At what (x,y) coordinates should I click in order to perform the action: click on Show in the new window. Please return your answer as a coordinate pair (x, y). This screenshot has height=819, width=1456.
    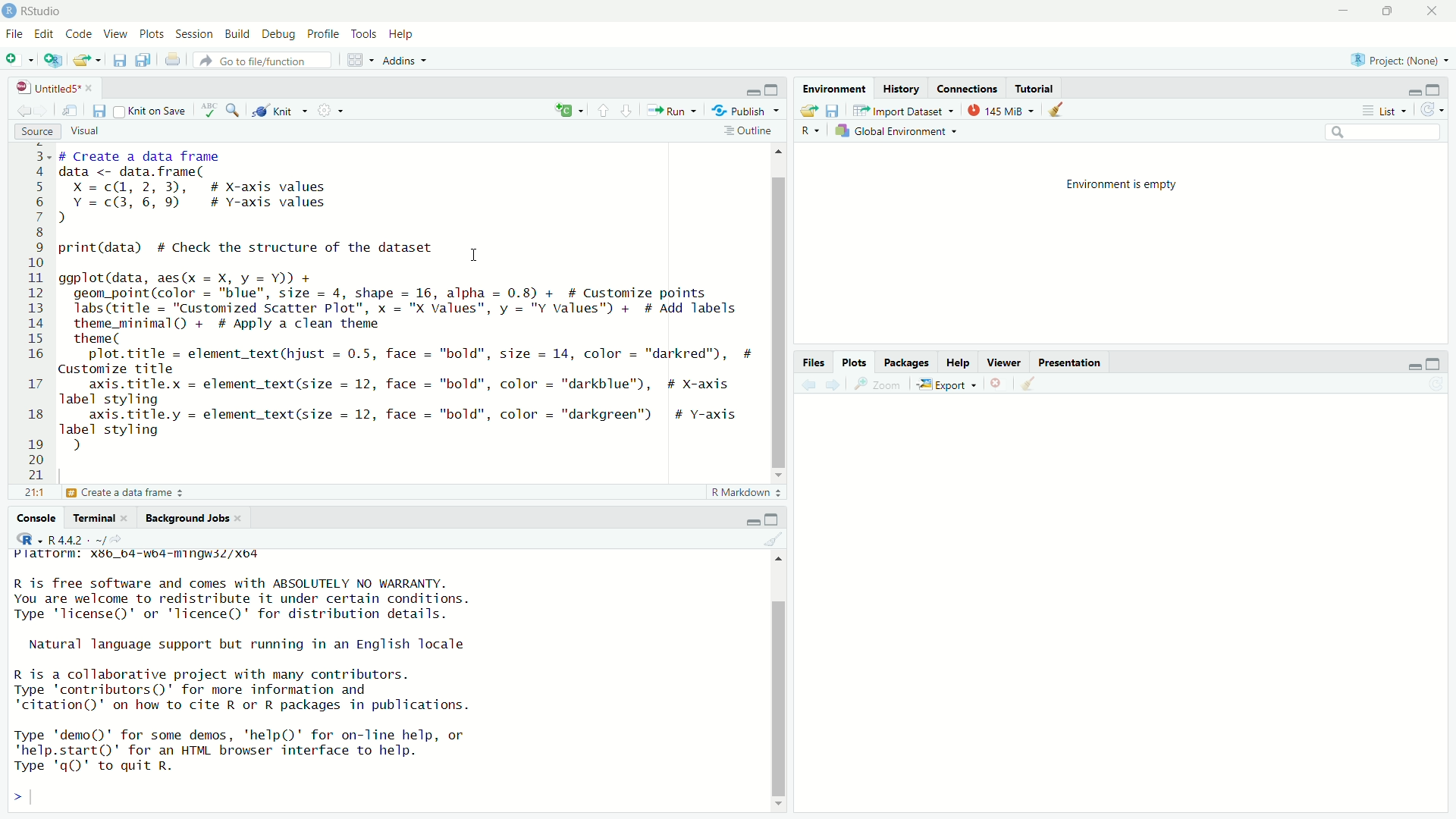
    Looking at the image, I should click on (71, 115).